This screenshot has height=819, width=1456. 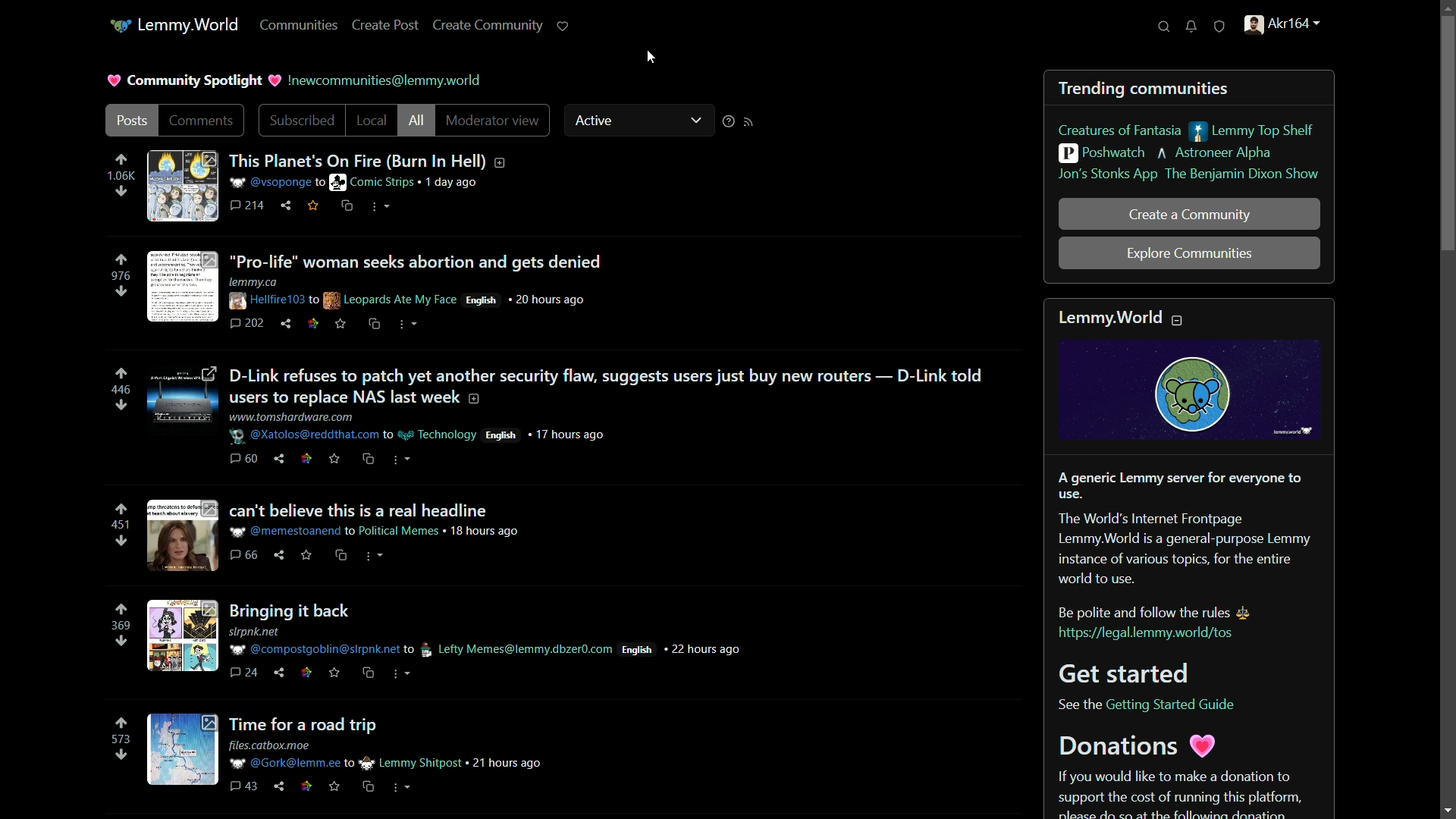 I want to click on post-5, so click(x=443, y=640).